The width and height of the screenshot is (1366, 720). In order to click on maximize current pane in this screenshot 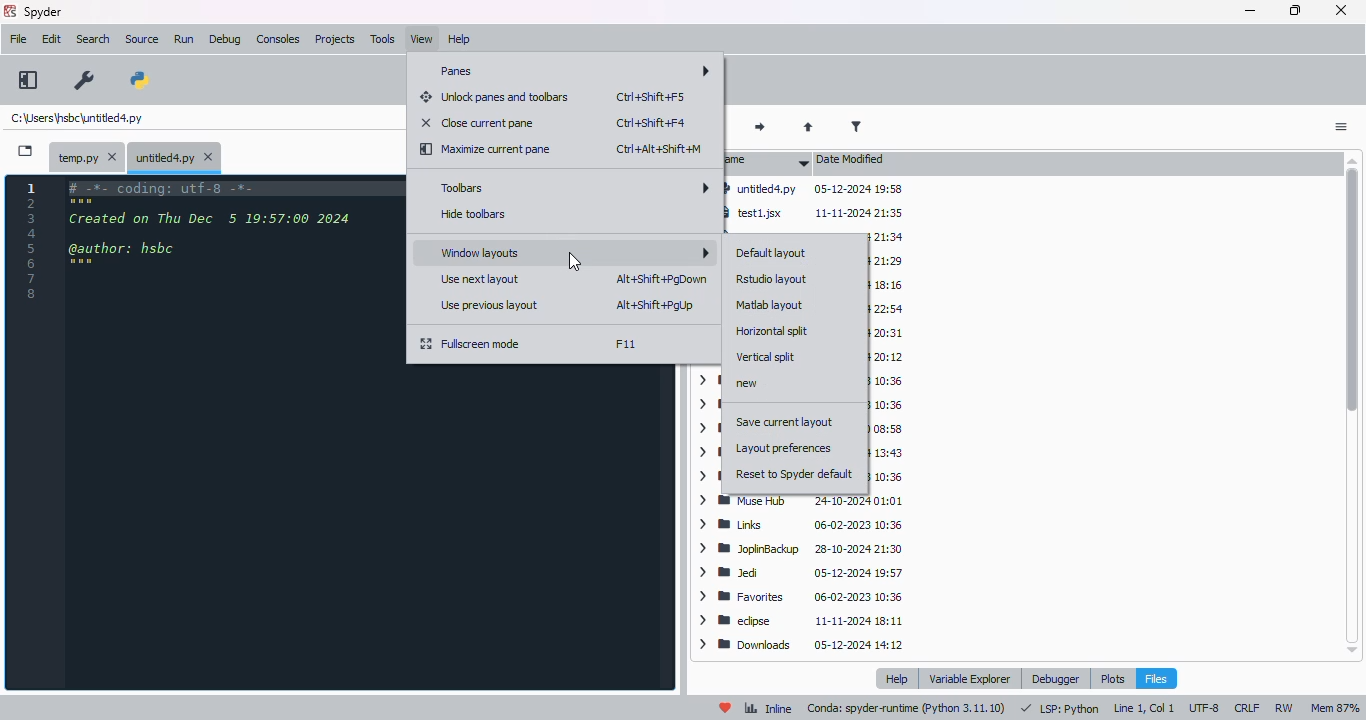, I will do `click(28, 80)`.